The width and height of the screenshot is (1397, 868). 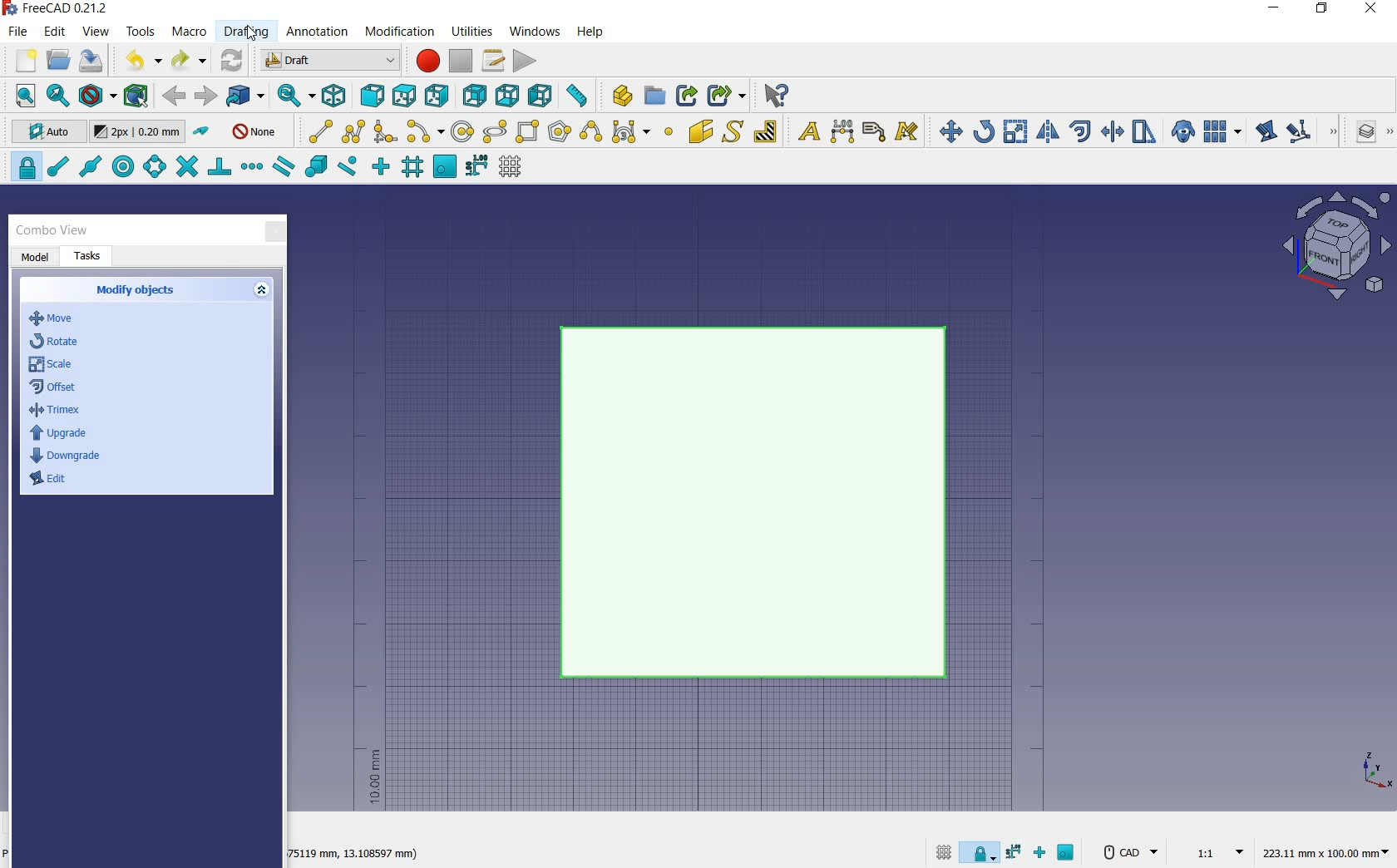 What do you see at coordinates (233, 58) in the screenshot?
I see `refresh` at bounding box center [233, 58].